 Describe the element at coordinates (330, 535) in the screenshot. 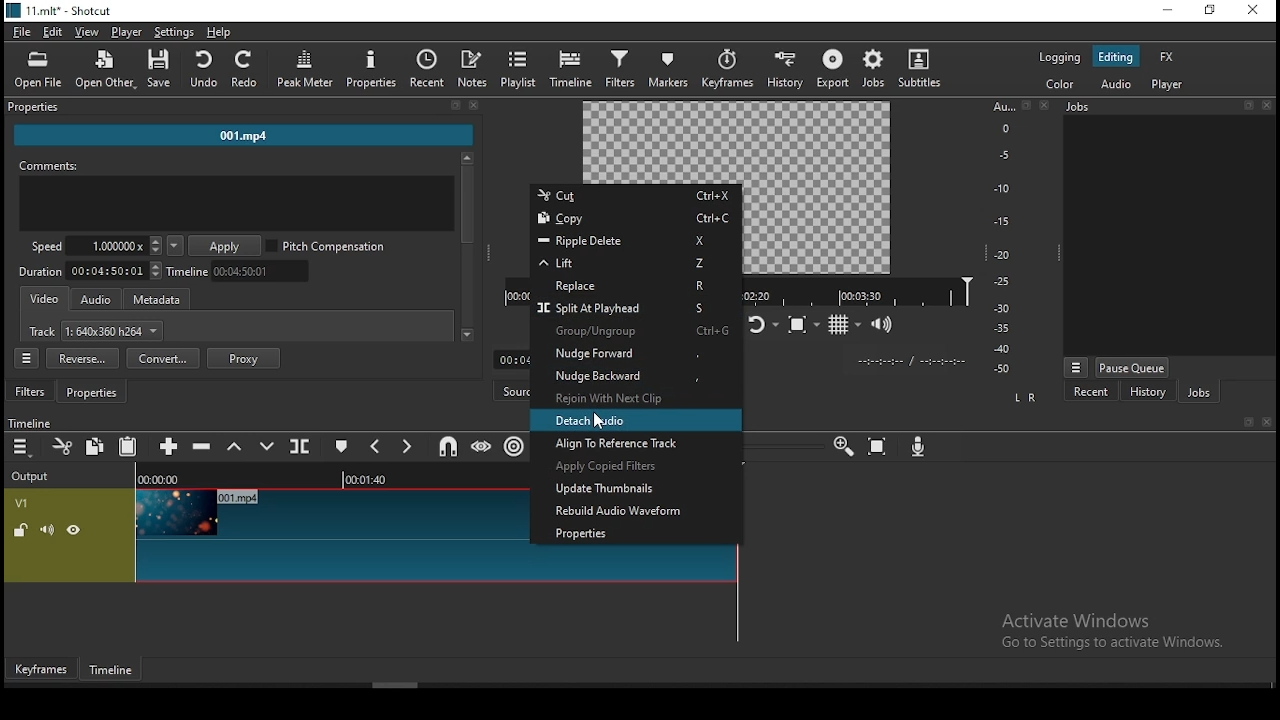

I see `video track V1` at that location.